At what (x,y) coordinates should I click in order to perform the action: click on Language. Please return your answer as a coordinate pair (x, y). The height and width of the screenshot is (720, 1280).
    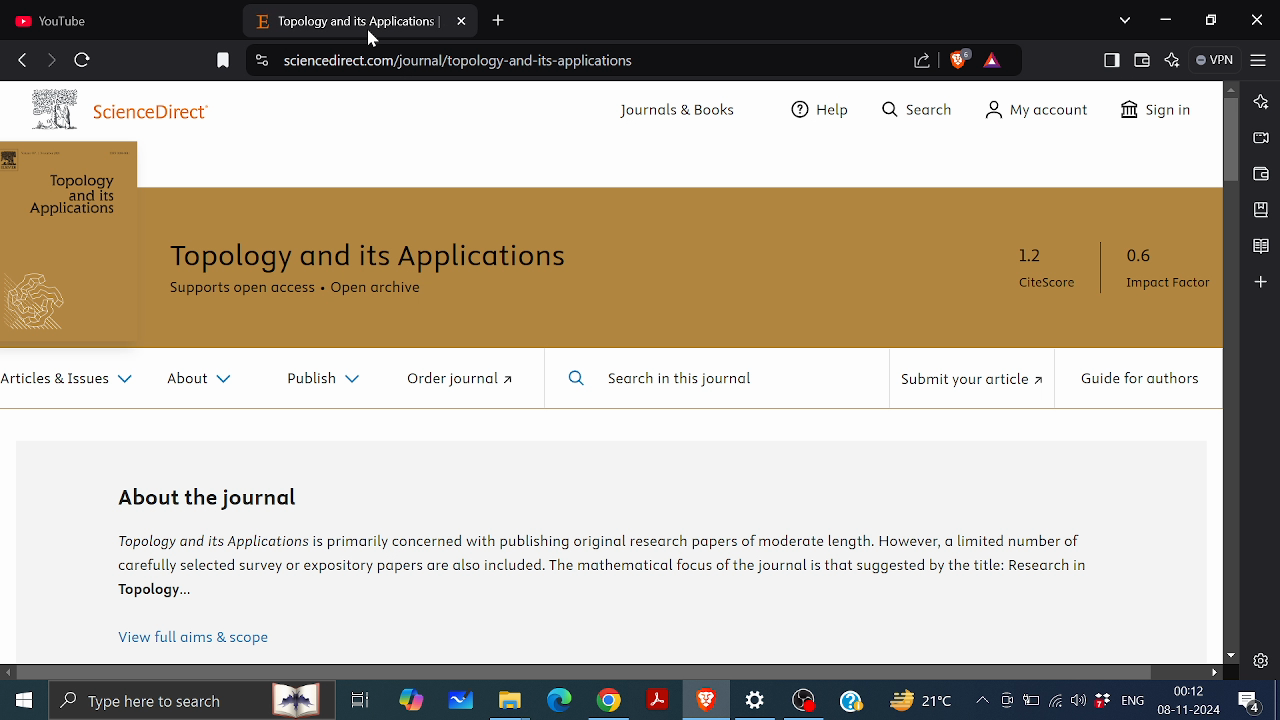
    Looking at the image, I should click on (1133, 699).